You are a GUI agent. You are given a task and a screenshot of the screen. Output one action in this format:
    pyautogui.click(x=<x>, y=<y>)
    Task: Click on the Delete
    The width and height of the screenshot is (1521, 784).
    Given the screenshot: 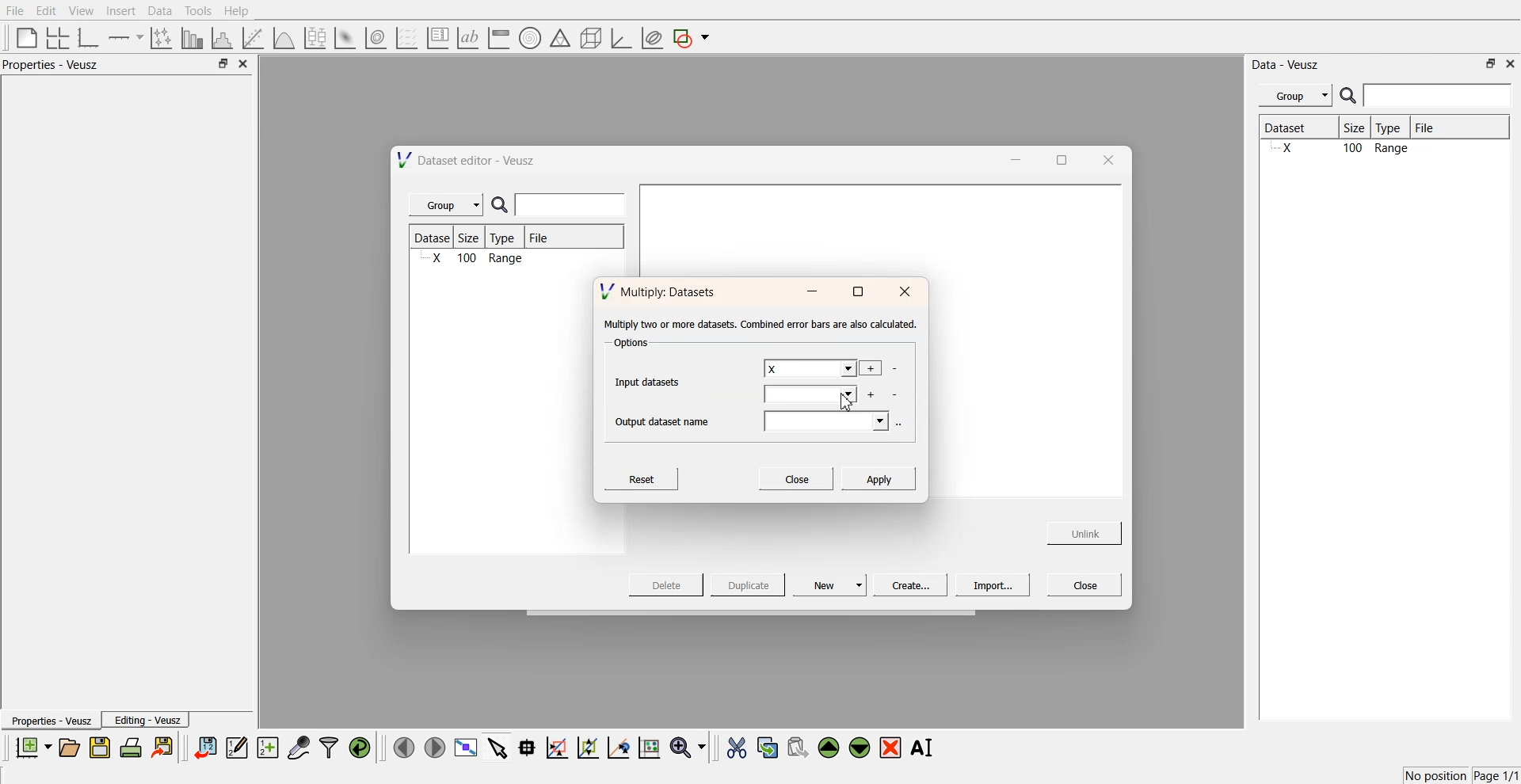 What is the action you would take?
    pyautogui.click(x=668, y=584)
    